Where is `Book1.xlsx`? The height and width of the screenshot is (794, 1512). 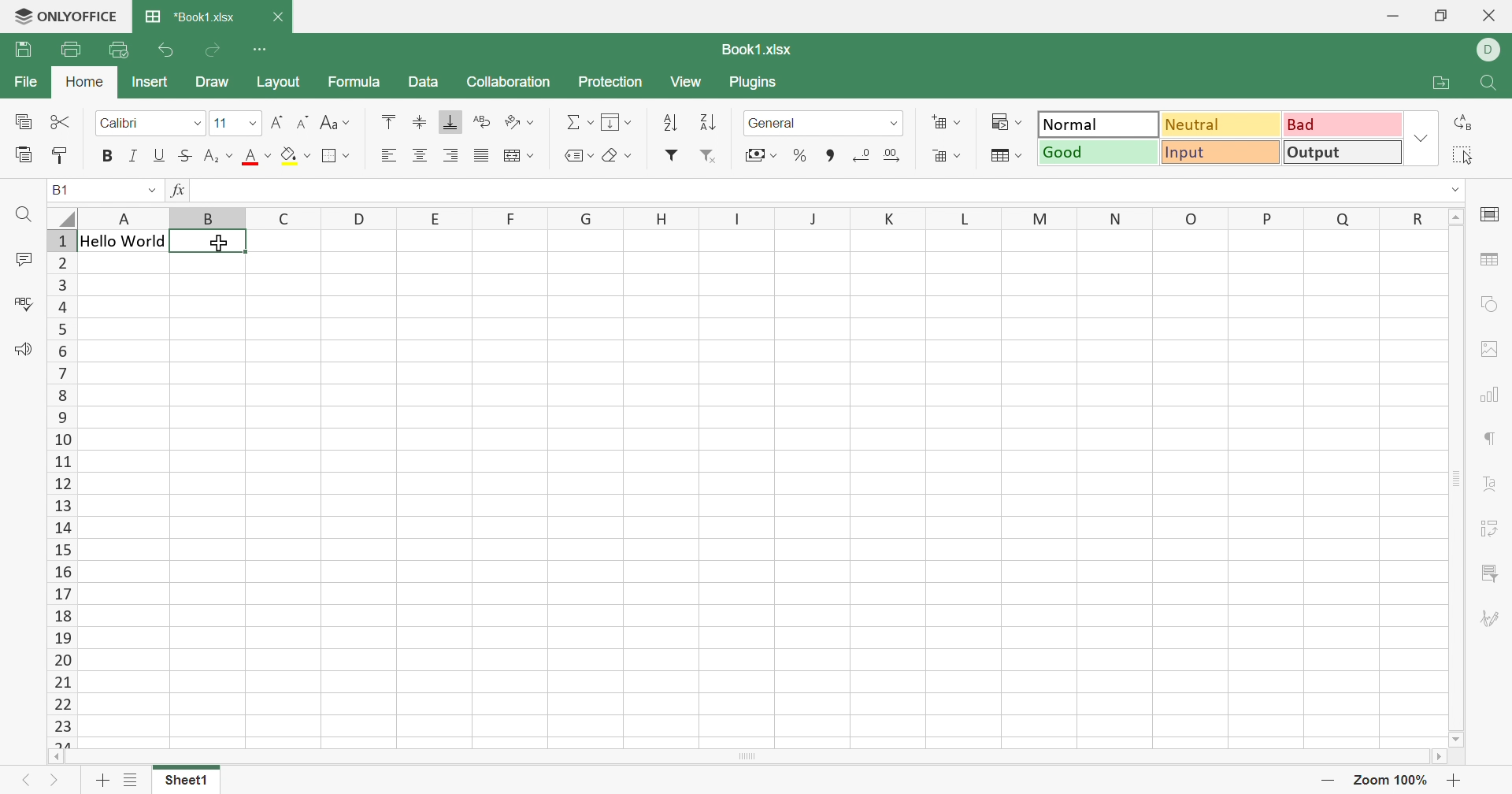
Book1.xlsx is located at coordinates (758, 52).